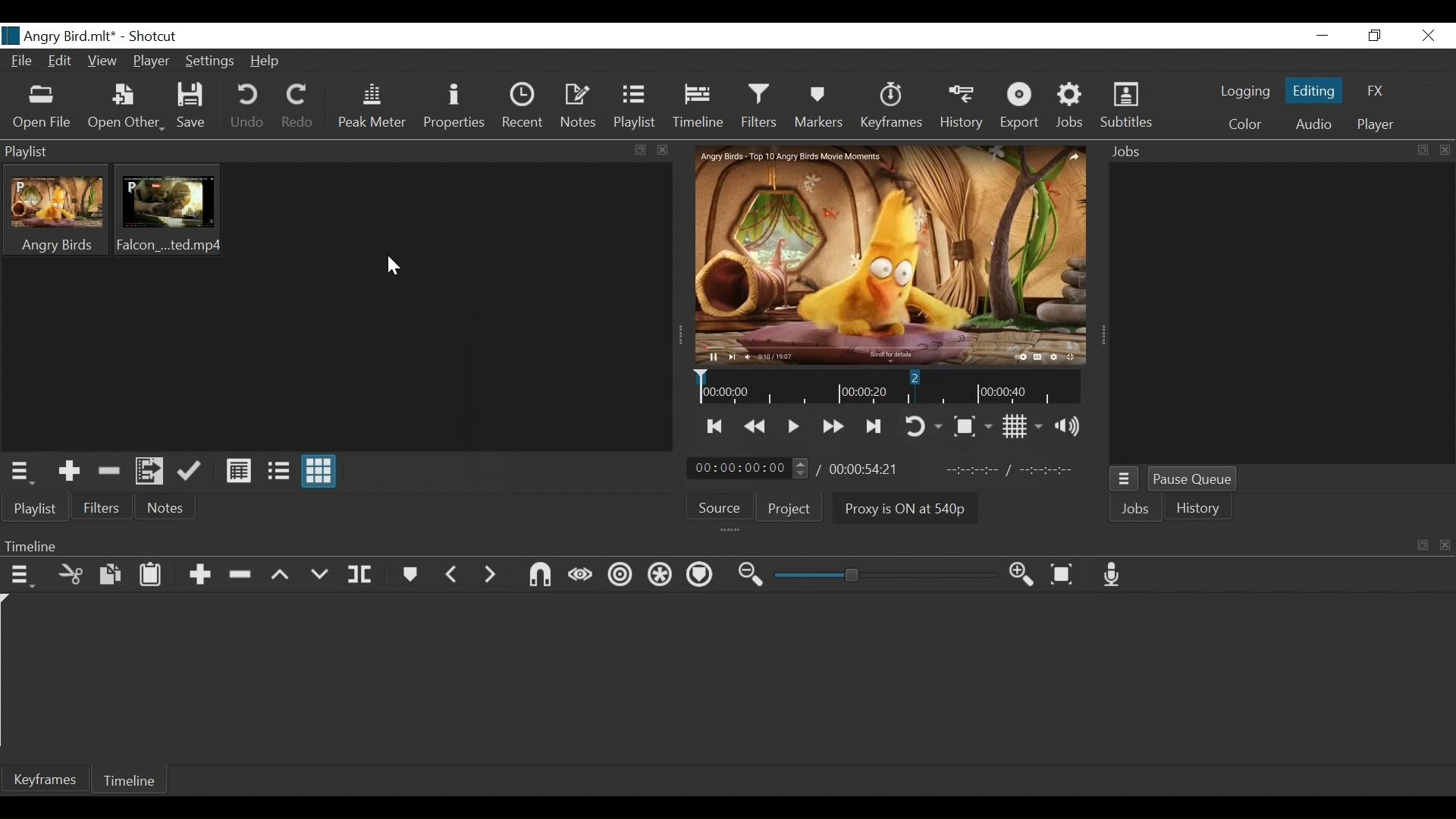 The width and height of the screenshot is (1456, 819). What do you see at coordinates (762, 106) in the screenshot?
I see `Filters` at bounding box center [762, 106].